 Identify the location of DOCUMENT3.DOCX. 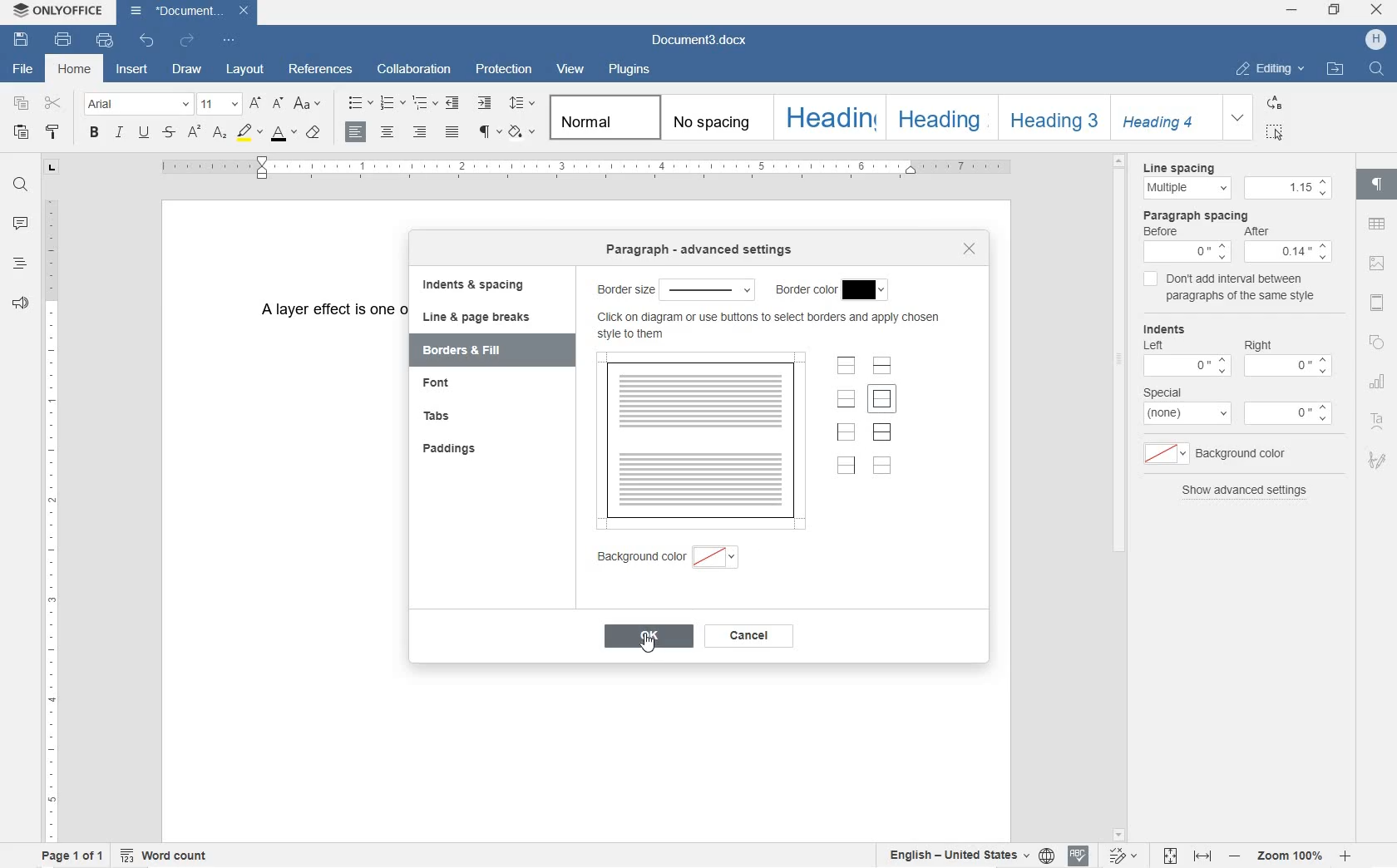
(192, 13).